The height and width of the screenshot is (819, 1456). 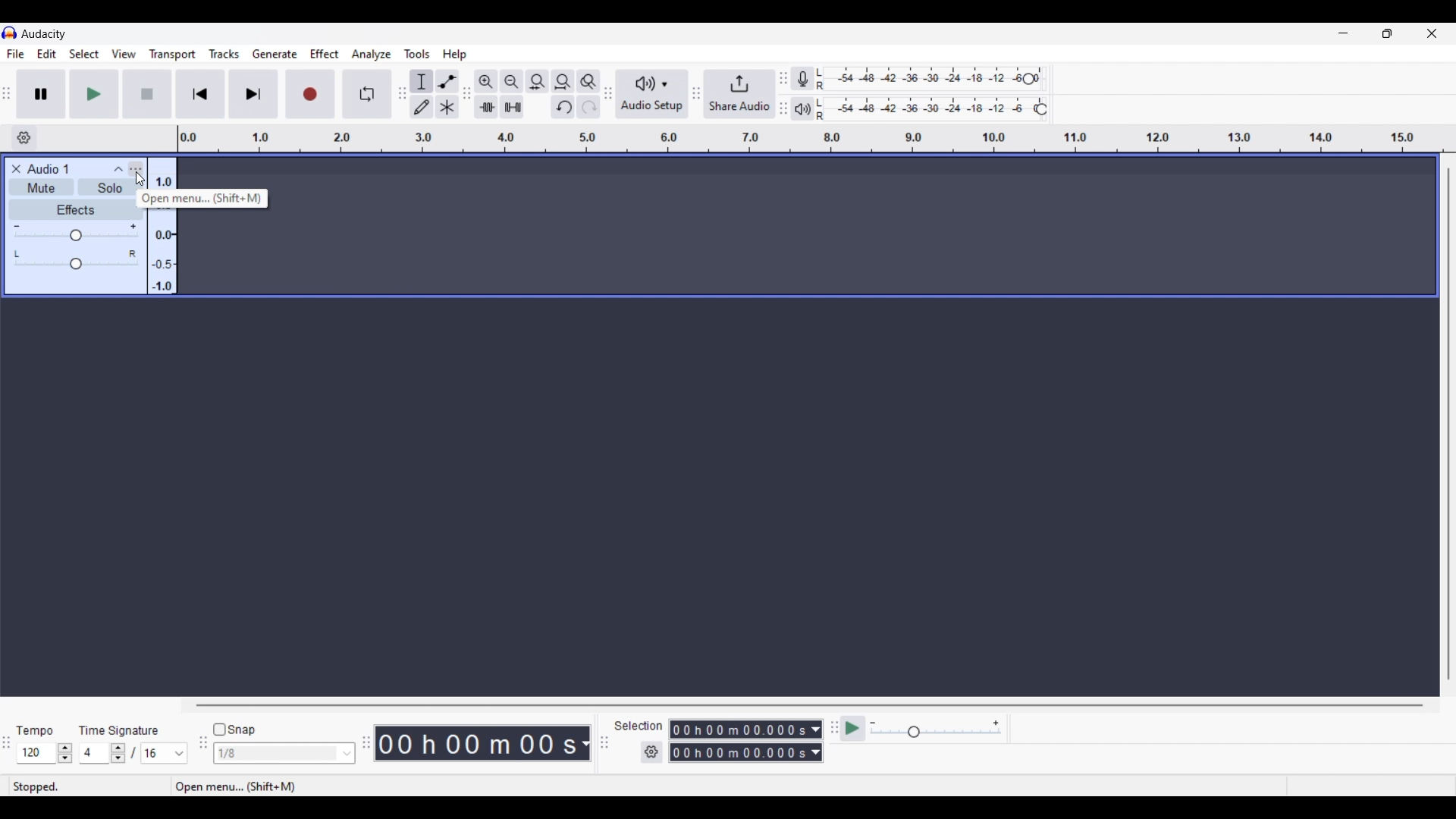 What do you see at coordinates (563, 107) in the screenshot?
I see `Undo` at bounding box center [563, 107].